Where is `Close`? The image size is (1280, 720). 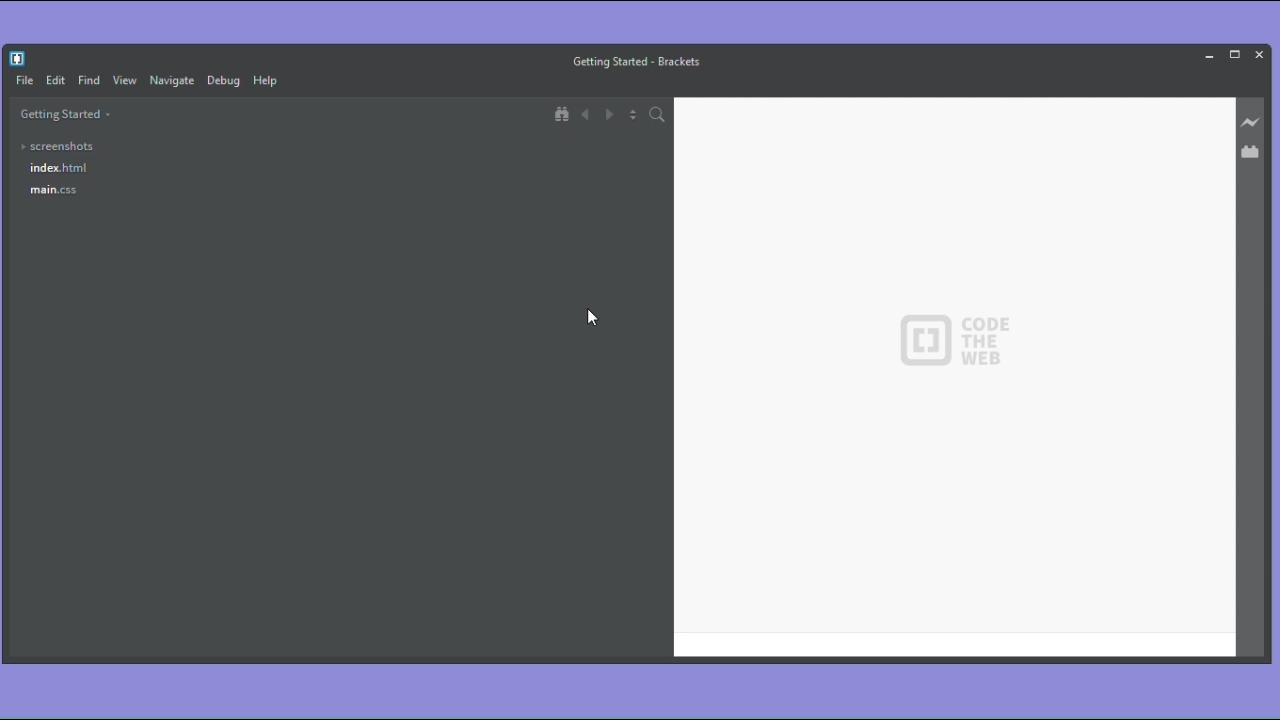
Close is located at coordinates (1260, 53).